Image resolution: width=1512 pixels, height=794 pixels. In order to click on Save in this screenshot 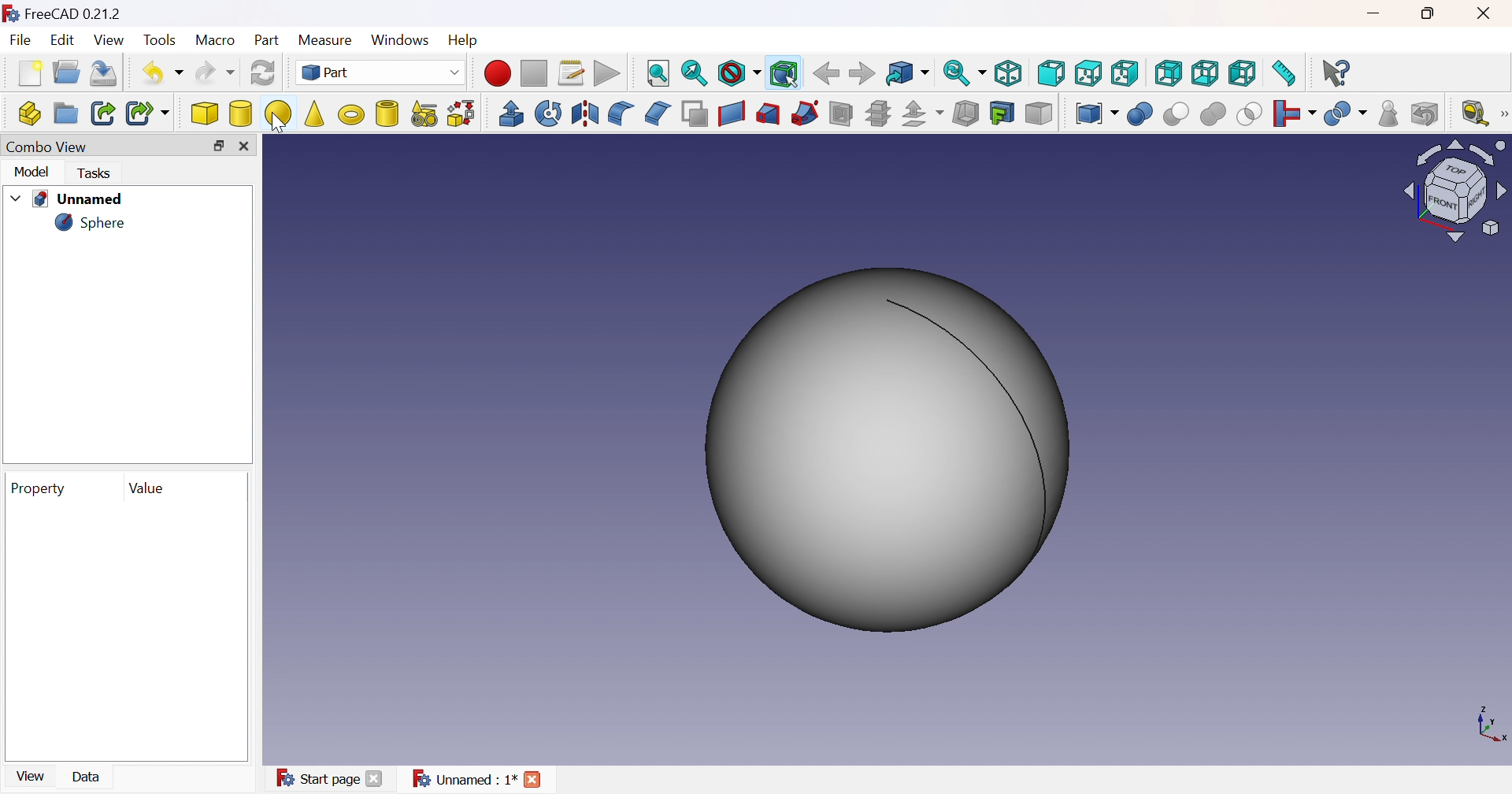, I will do `click(106, 74)`.